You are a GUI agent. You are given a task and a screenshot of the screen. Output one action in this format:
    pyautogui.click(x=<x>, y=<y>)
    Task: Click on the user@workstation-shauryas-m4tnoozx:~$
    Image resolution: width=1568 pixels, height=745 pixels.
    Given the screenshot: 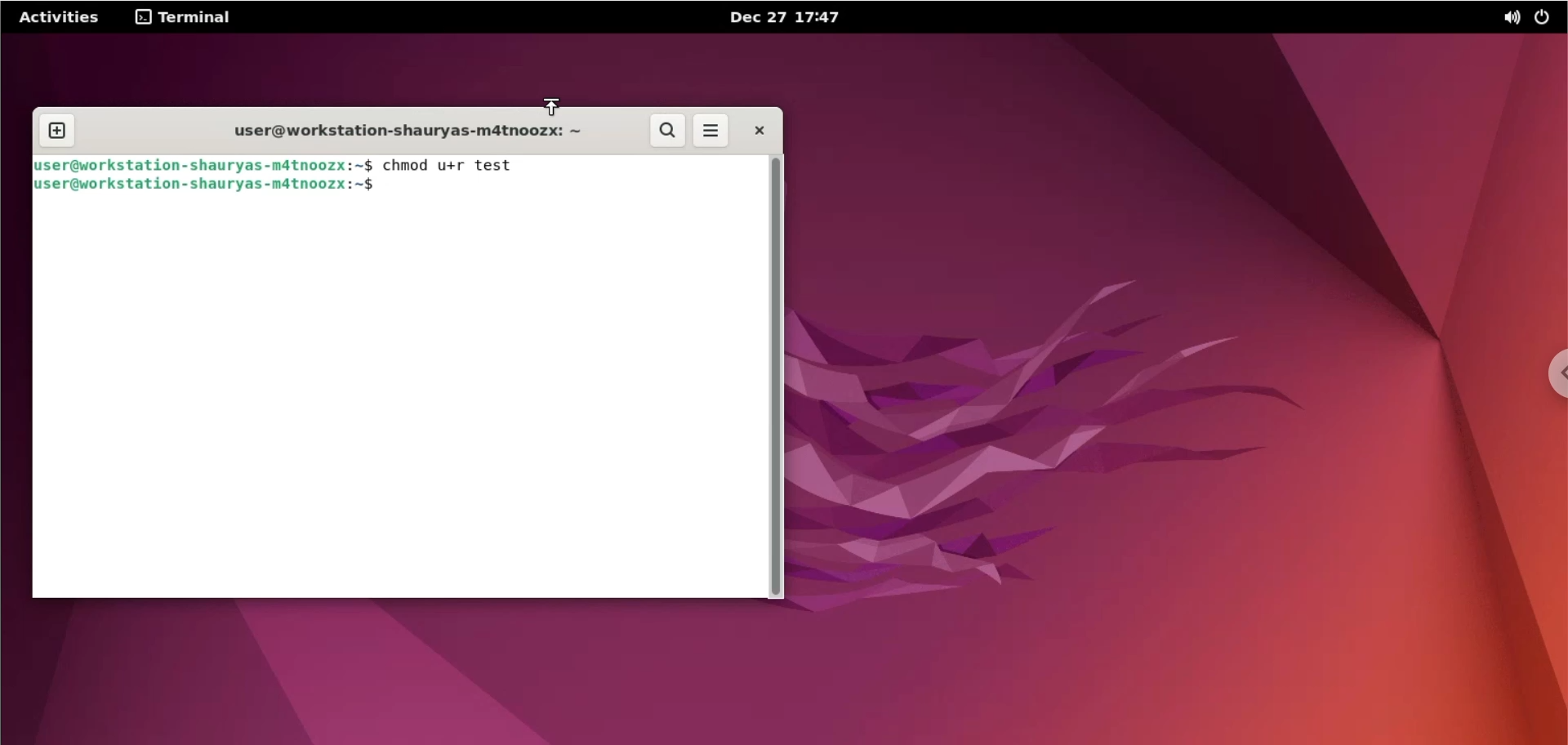 What is the action you would take?
    pyautogui.click(x=204, y=165)
    